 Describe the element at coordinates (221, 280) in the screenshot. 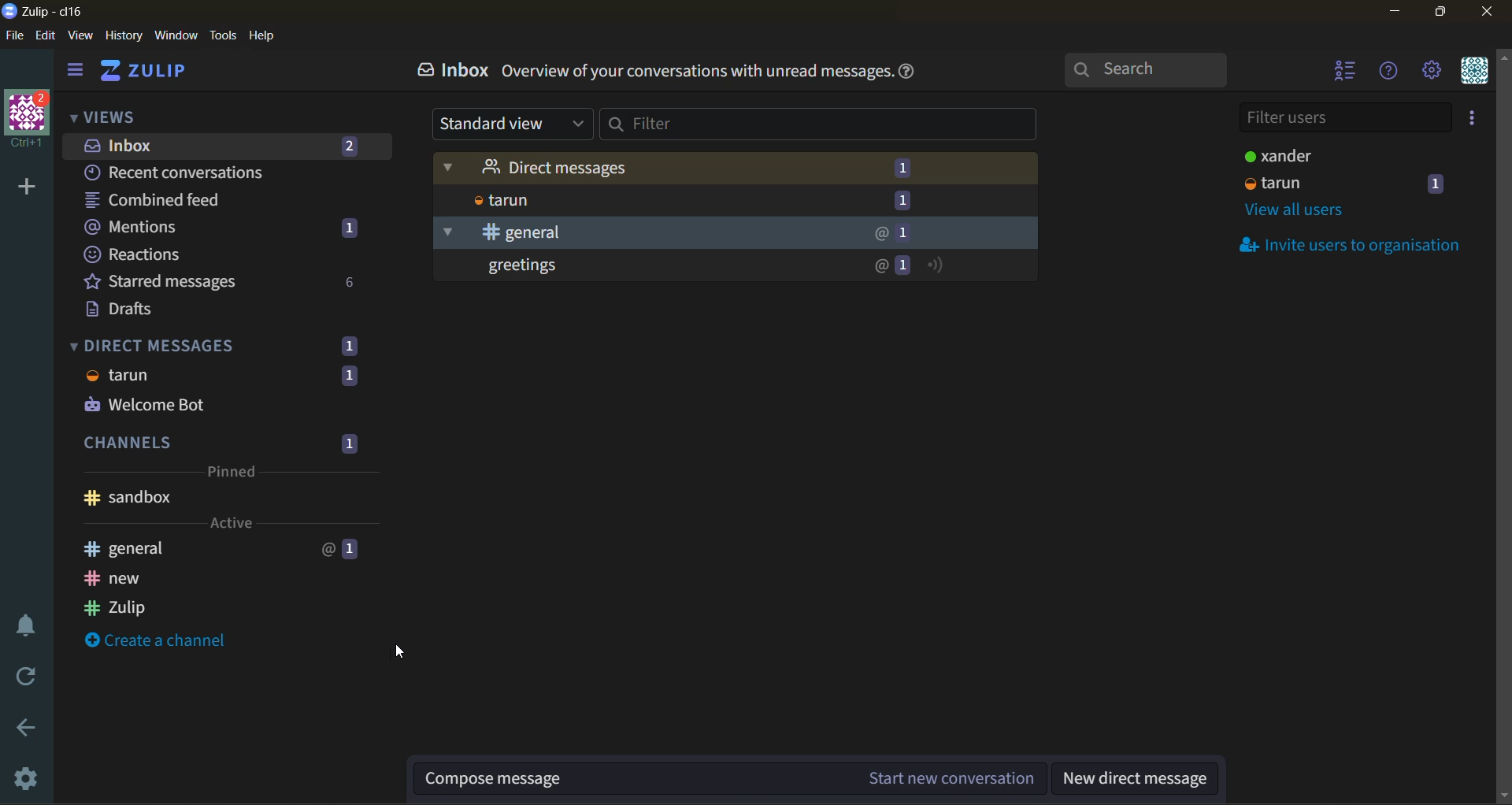

I see `starred messages` at that location.